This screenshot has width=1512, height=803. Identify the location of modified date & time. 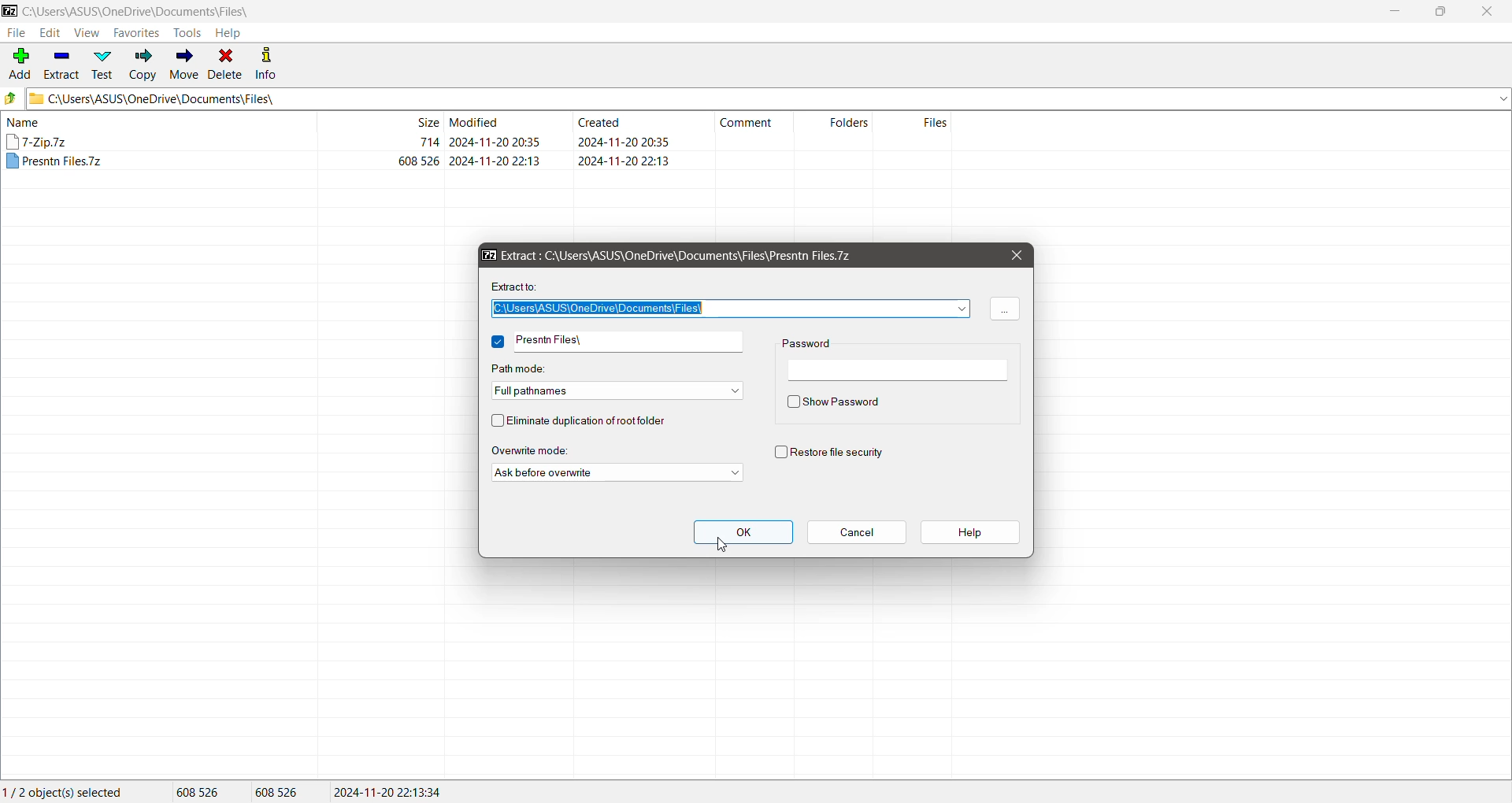
(495, 161).